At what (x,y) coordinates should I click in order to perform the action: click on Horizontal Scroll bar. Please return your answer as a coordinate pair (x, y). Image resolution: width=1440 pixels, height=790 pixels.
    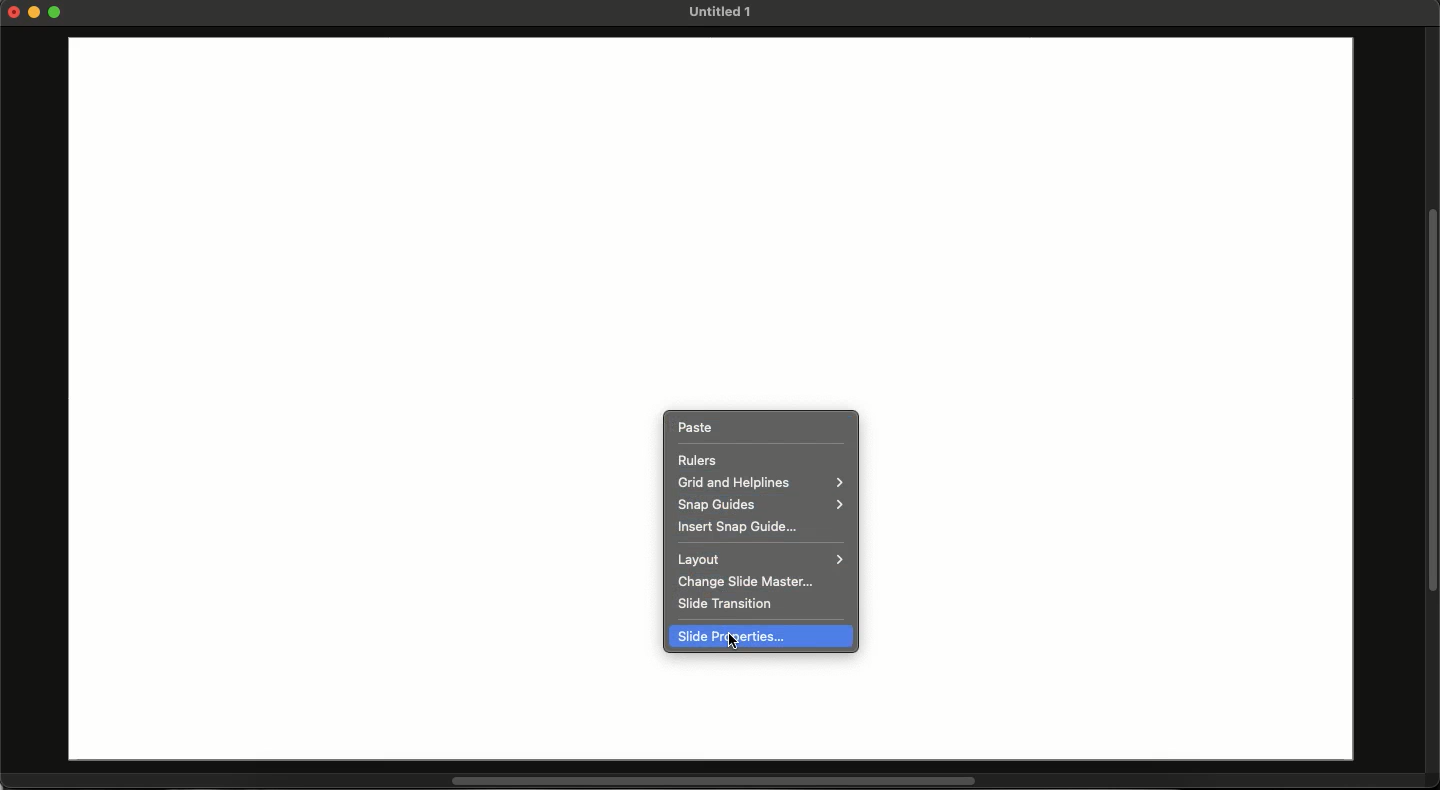
    Looking at the image, I should click on (701, 782).